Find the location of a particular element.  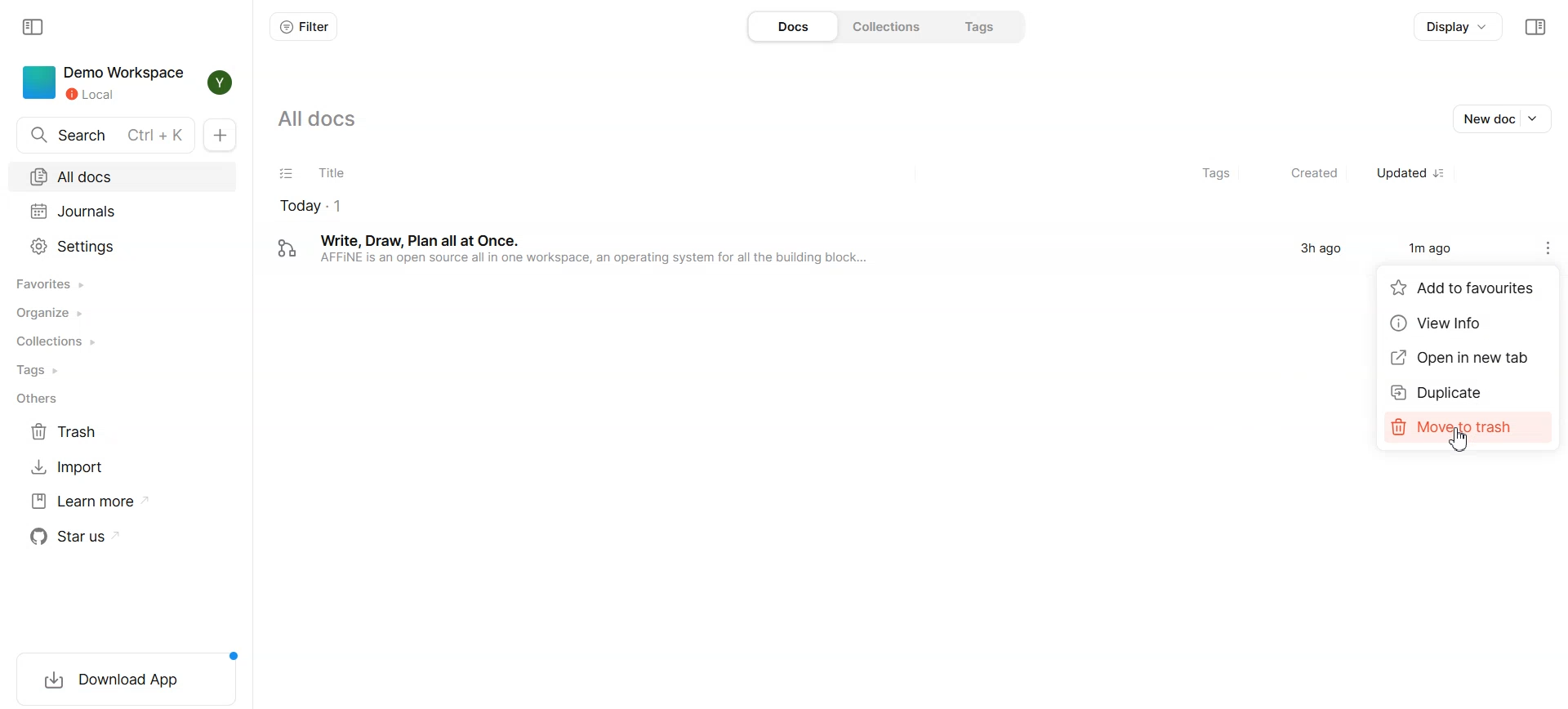

Others is located at coordinates (123, 399).